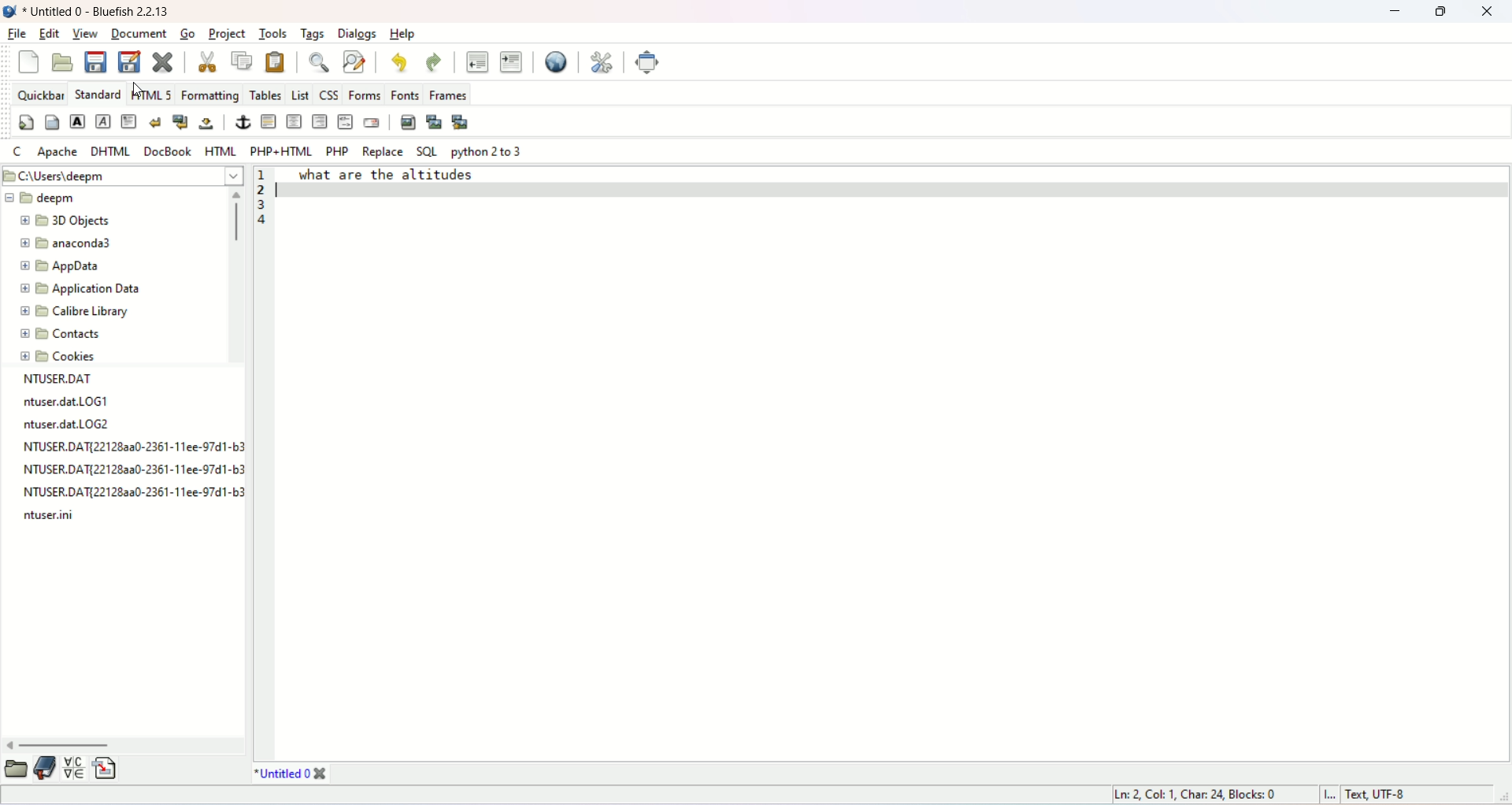 The height and width of the screenshot is (805, 1512). What do you see at coordinates (463, 121) in the screenshot?
I see `multi thumbnail` at bounding box center [463, 121].